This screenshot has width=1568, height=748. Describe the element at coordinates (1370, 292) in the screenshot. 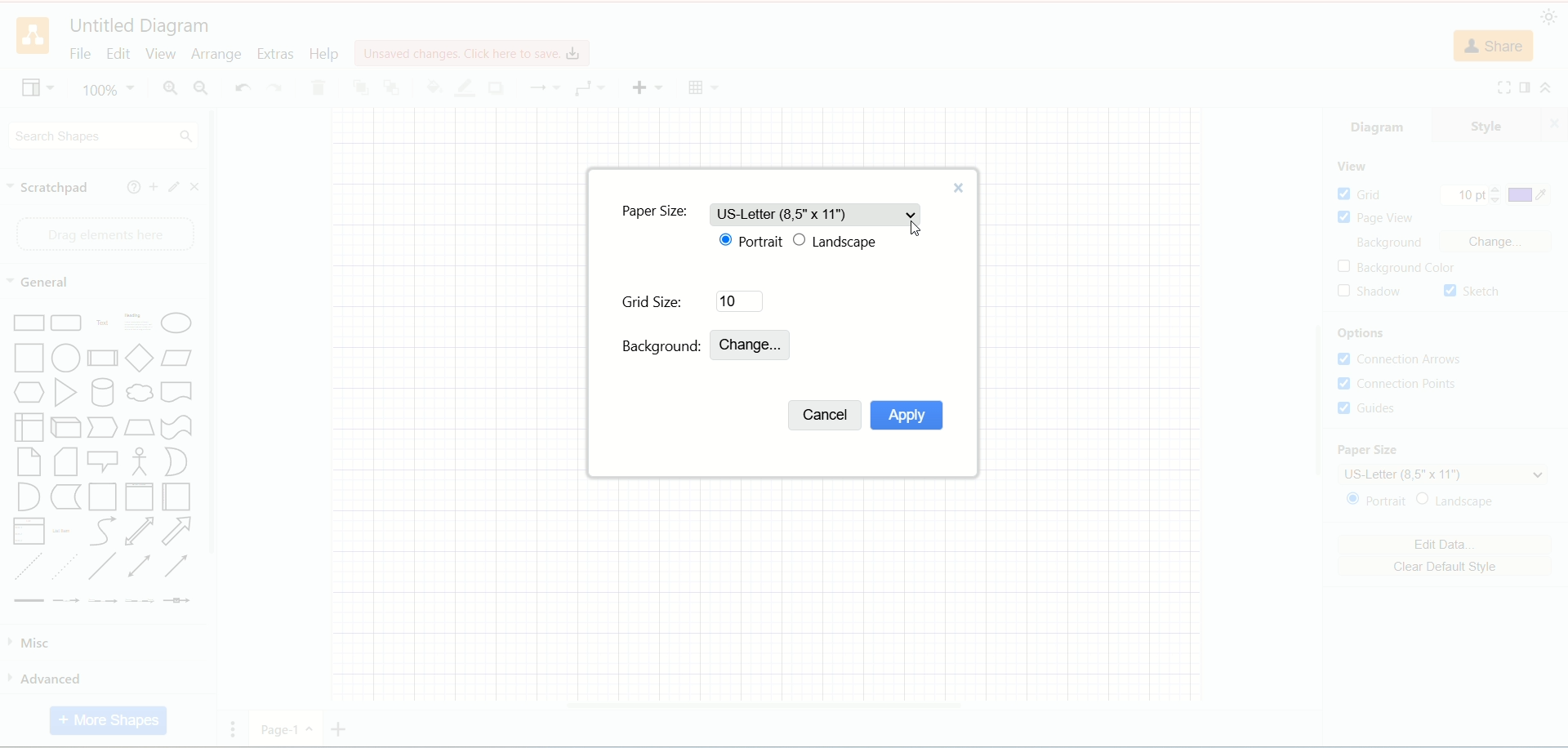

I see `shadow` at that location.